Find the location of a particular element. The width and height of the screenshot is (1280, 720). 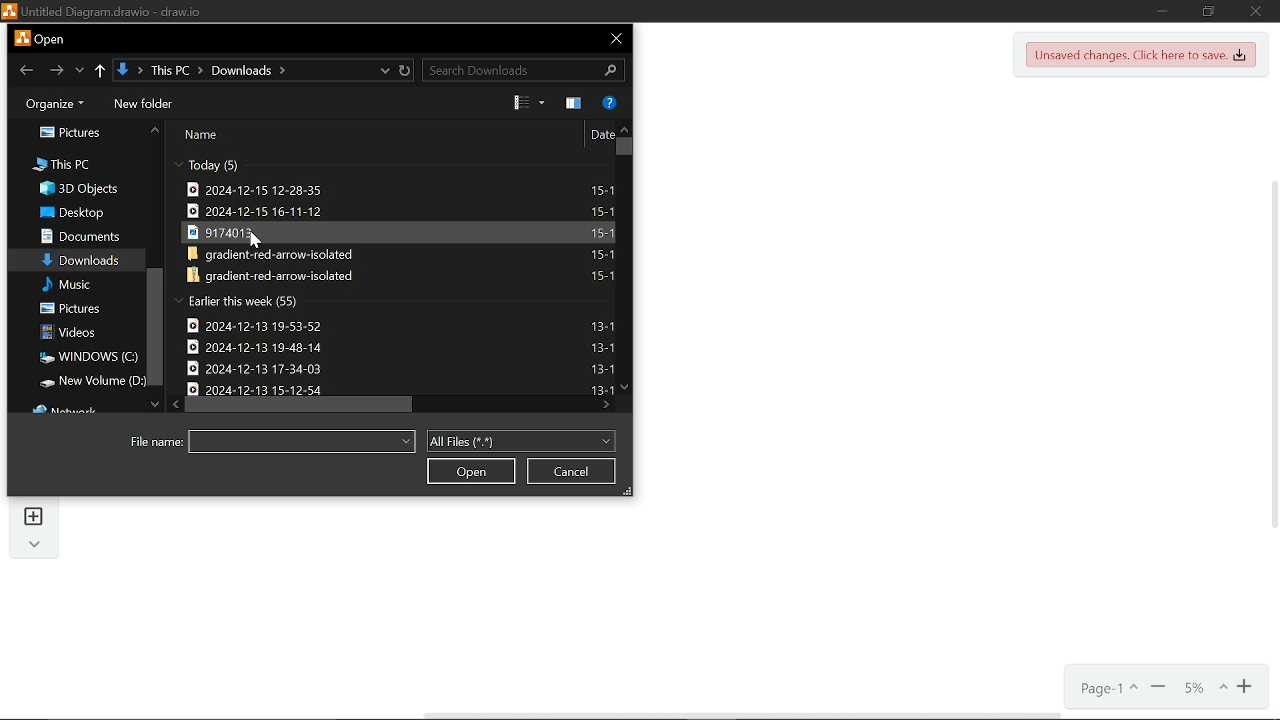

File name is located at coordinates (303, 442).